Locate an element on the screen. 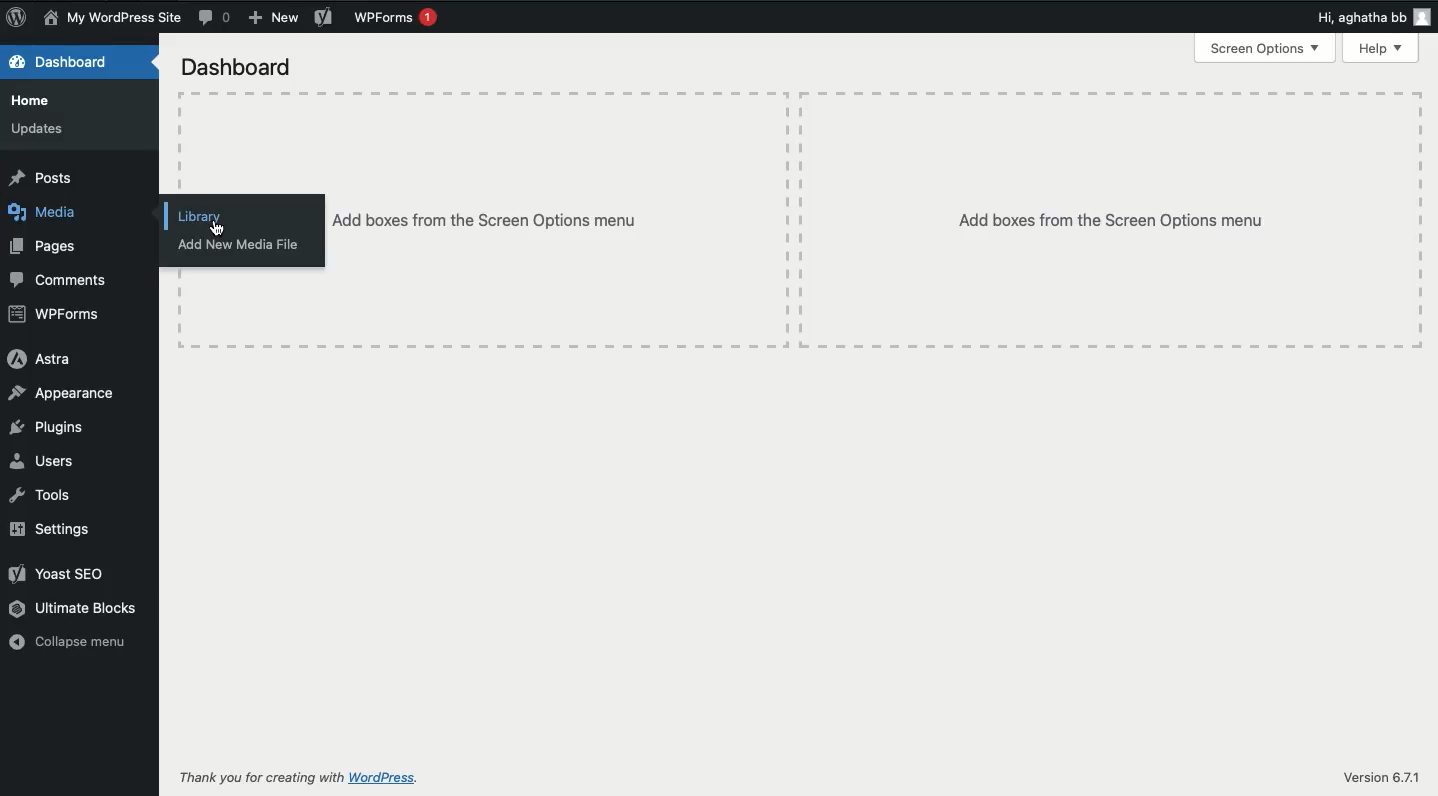 This screenshot has height=796, width=1438. WordPress logo is located at coordinates (16, 17).